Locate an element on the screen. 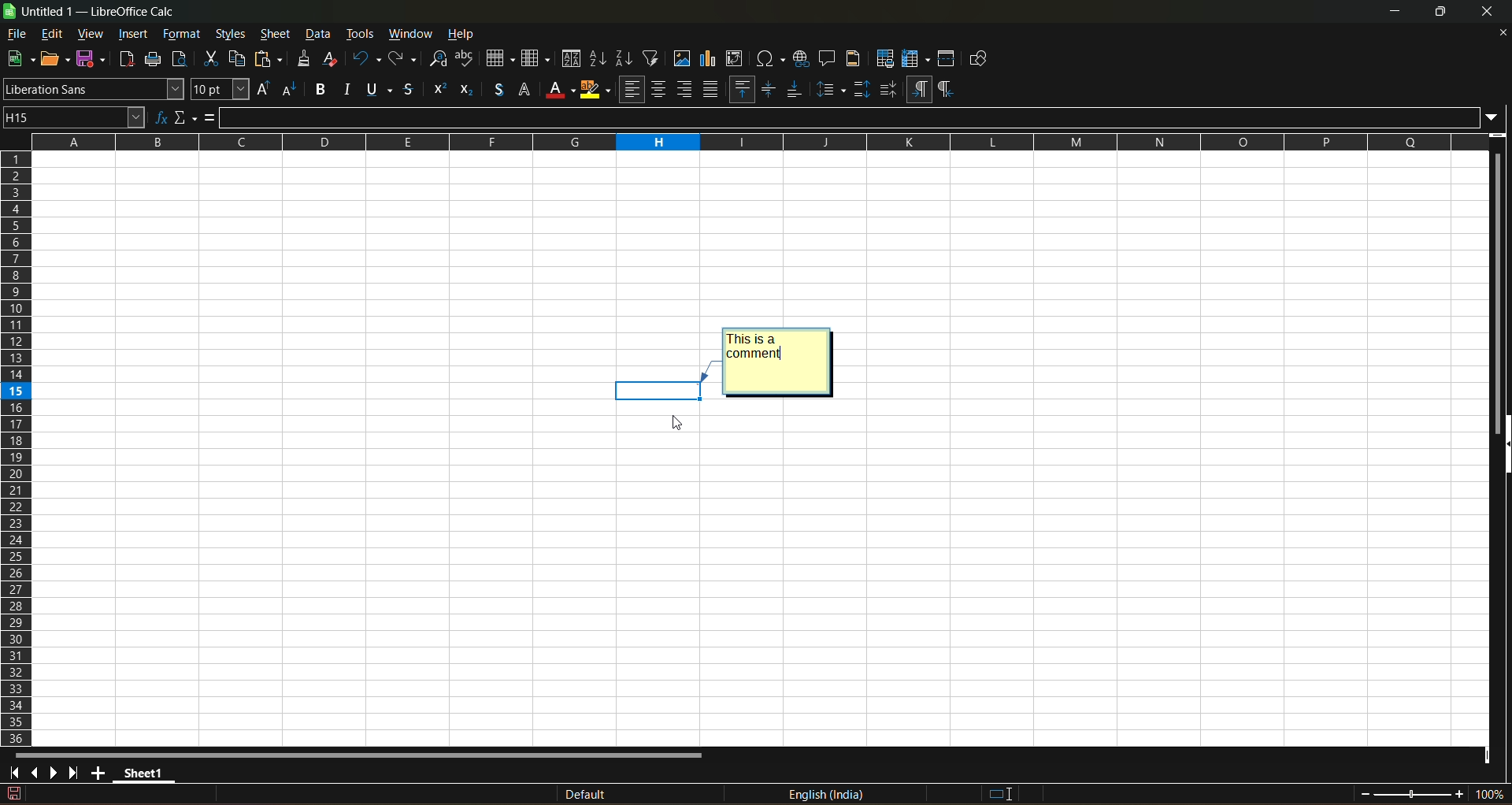  align right is located at coordinates (493, 89).